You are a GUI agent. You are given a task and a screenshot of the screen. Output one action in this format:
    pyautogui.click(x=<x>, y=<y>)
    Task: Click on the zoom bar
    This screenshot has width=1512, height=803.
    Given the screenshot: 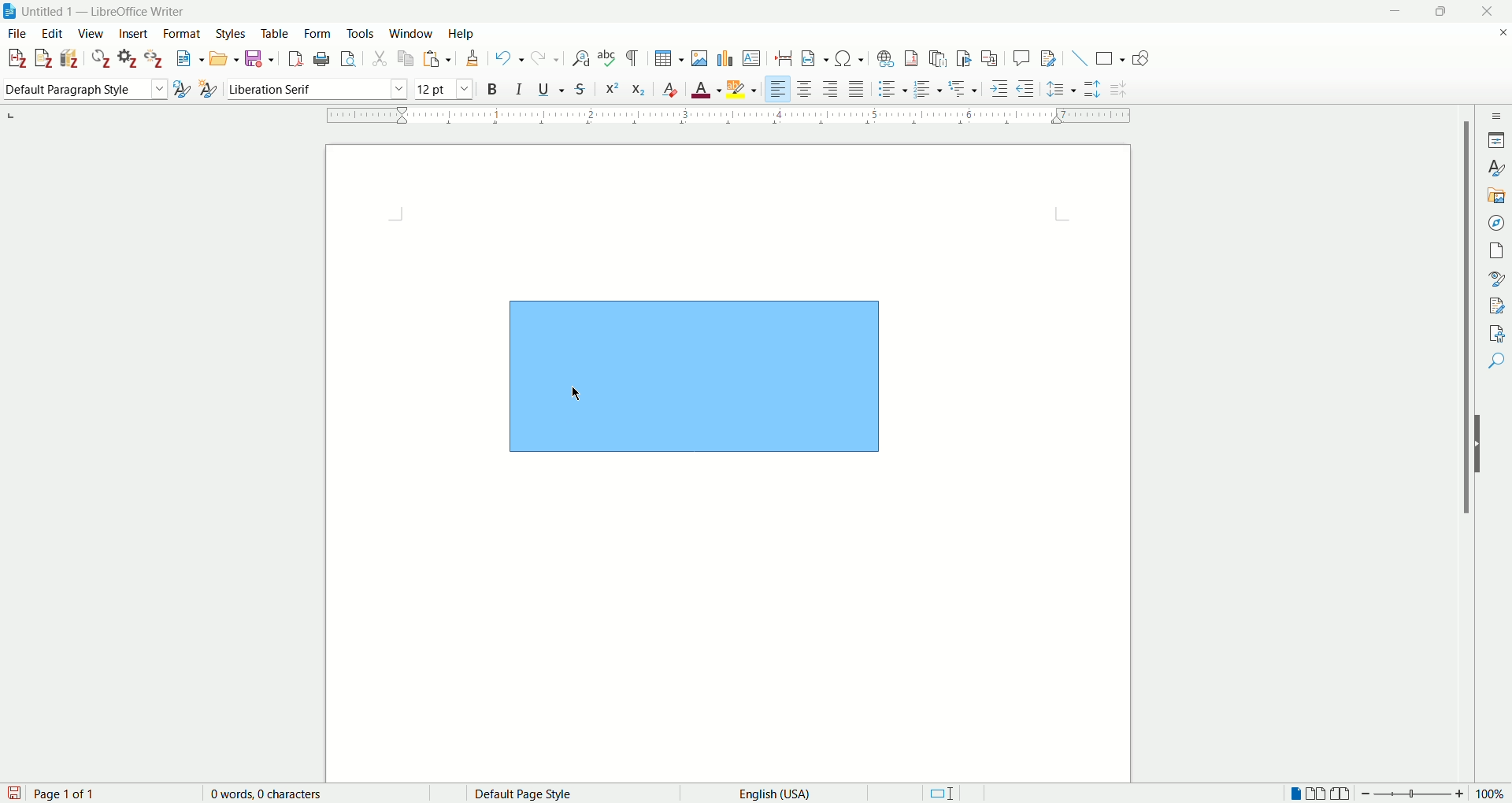 What is the action you would take?
    pyautogui.click(x=1417, y=794)
    